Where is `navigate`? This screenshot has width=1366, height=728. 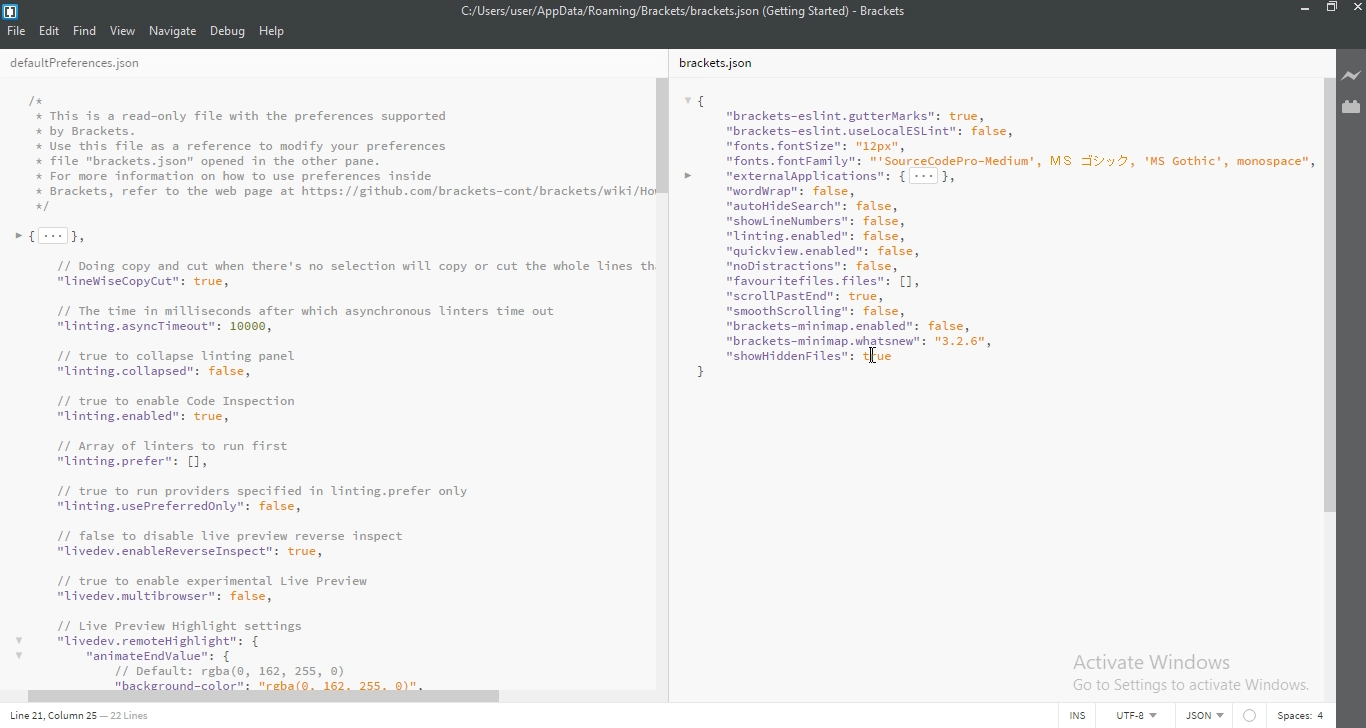
navigate is located at coordinates (172, 31).